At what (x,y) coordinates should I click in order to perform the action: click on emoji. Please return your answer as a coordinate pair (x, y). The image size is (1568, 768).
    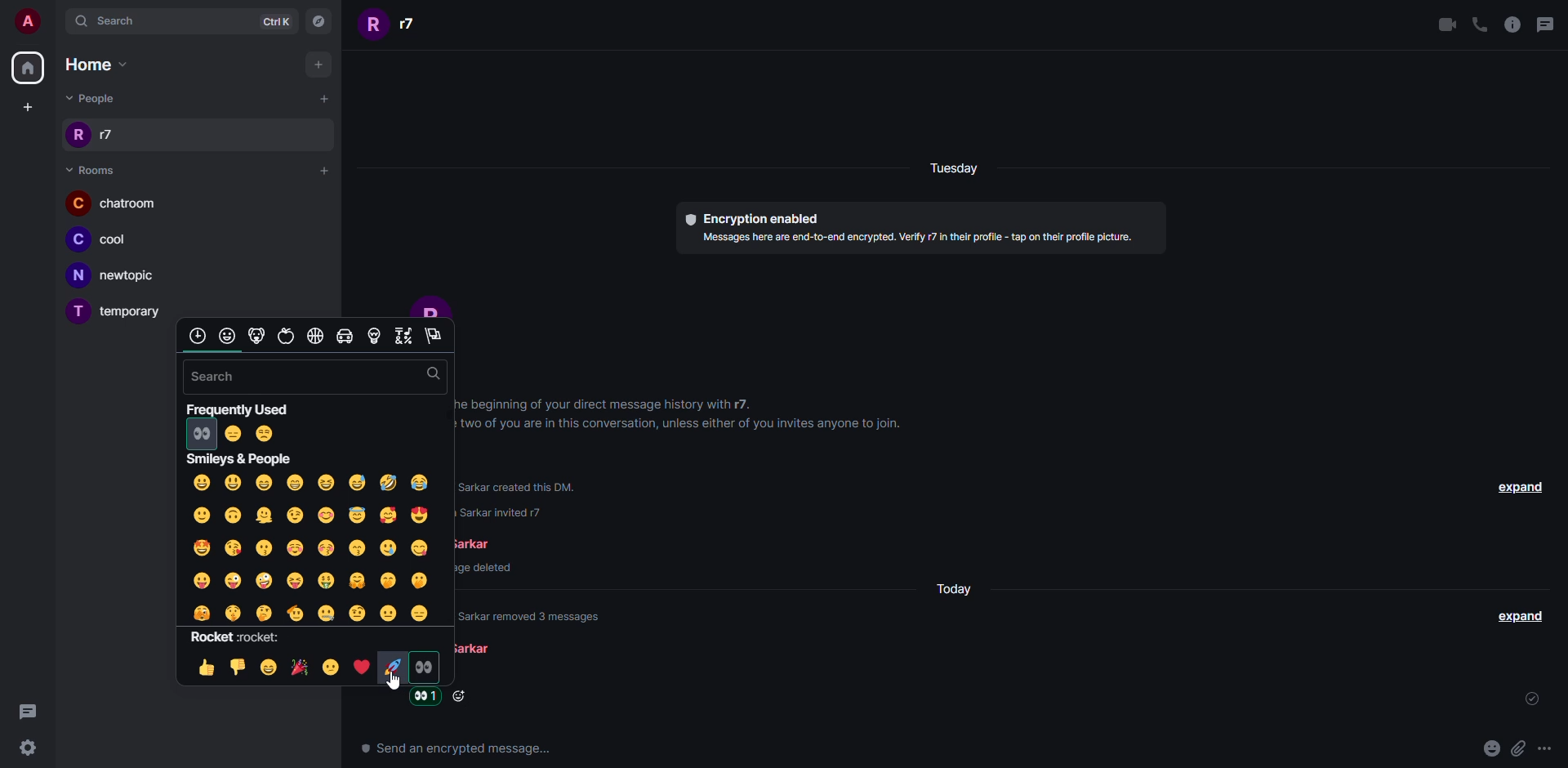
    Looking at the image, I should click on (269, 668).